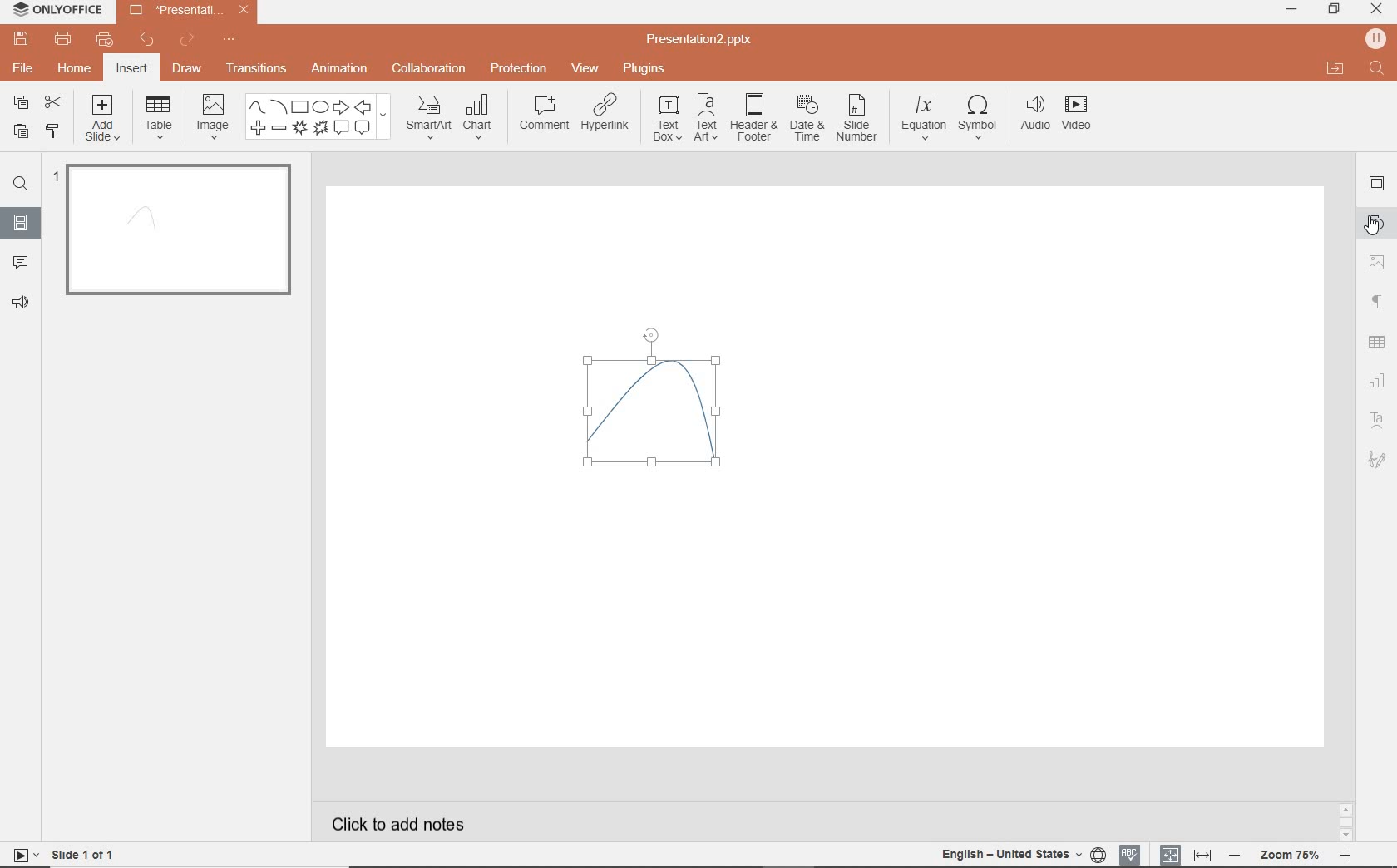  What do you see at coordinates (24, 40) in the screenshot?
I see `SAVE` at bounding box center [24, 40].